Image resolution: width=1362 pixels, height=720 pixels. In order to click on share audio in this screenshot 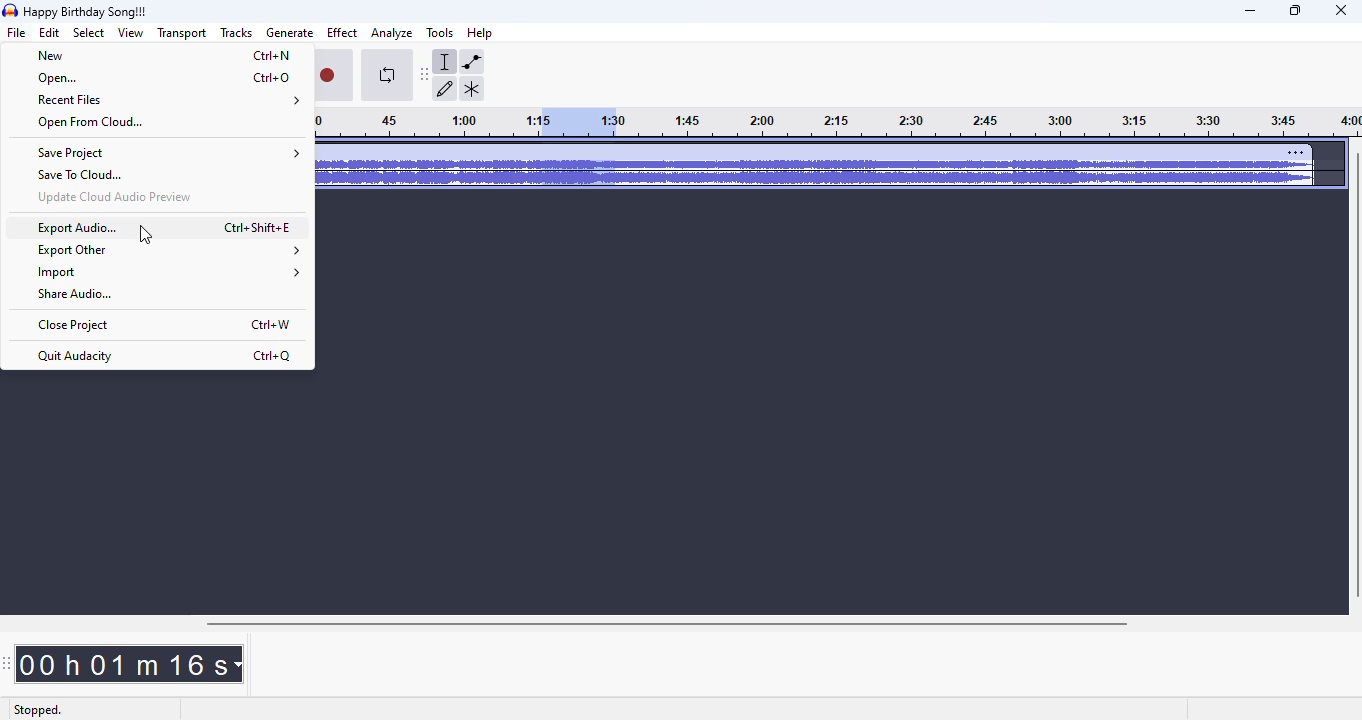, I will do `click(76, 294)`.